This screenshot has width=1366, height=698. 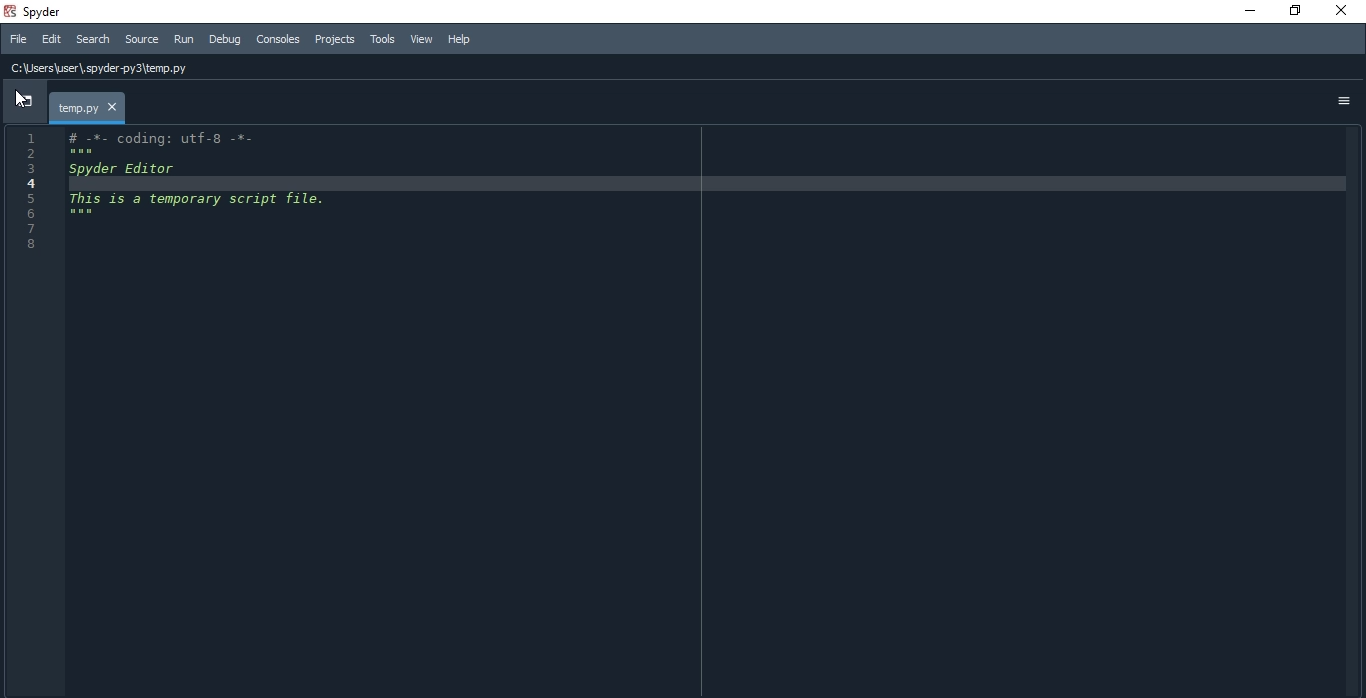 What do you see at coordinates (1248, 19) in the screenshot?
I see `minimise` at bounding box center [1248, 19].